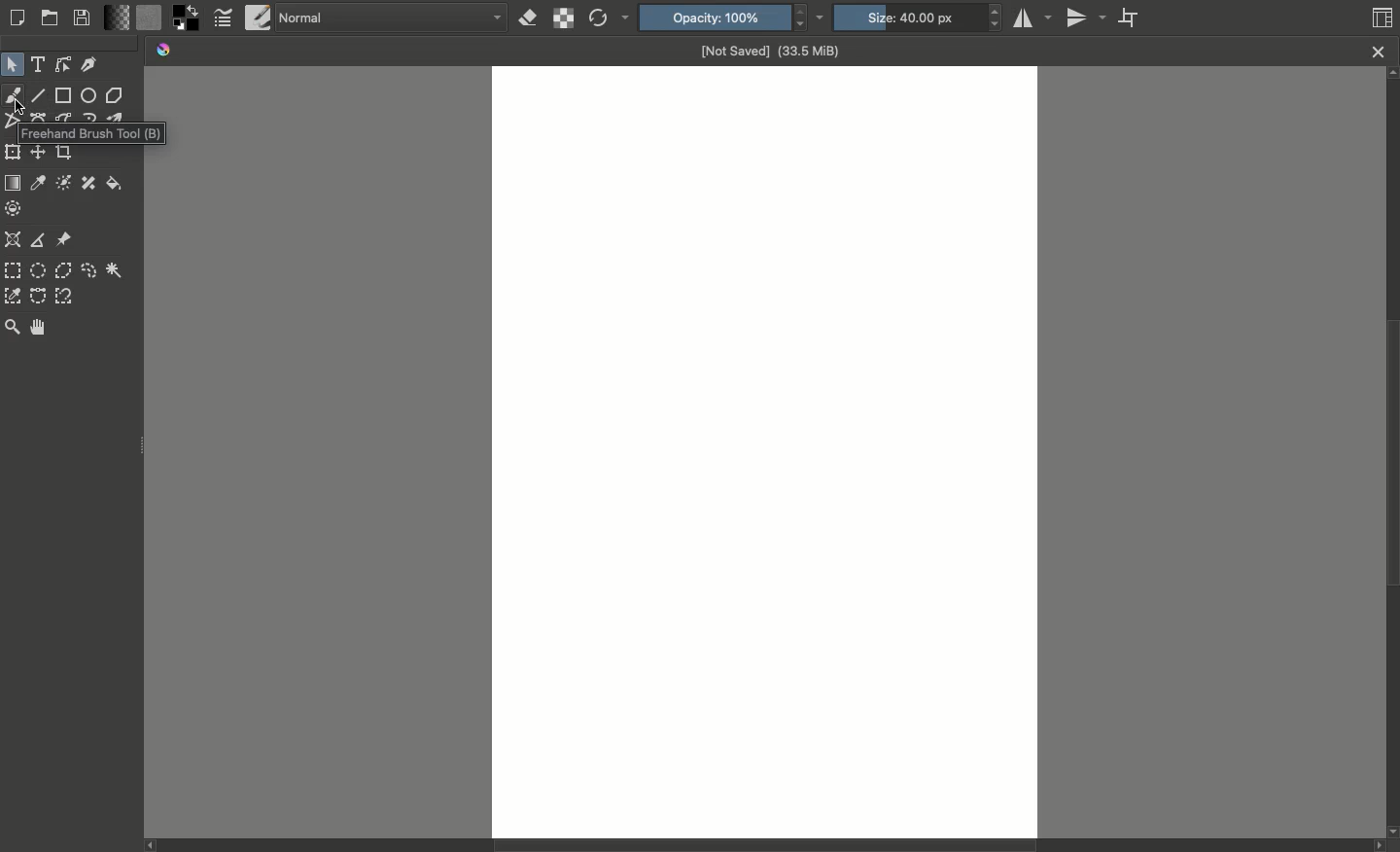 This screenshot has height=852, width=1400. Describe the element at coordinates (115, 269) in the screenshot. I see `Contiguous selection tool` at that location.